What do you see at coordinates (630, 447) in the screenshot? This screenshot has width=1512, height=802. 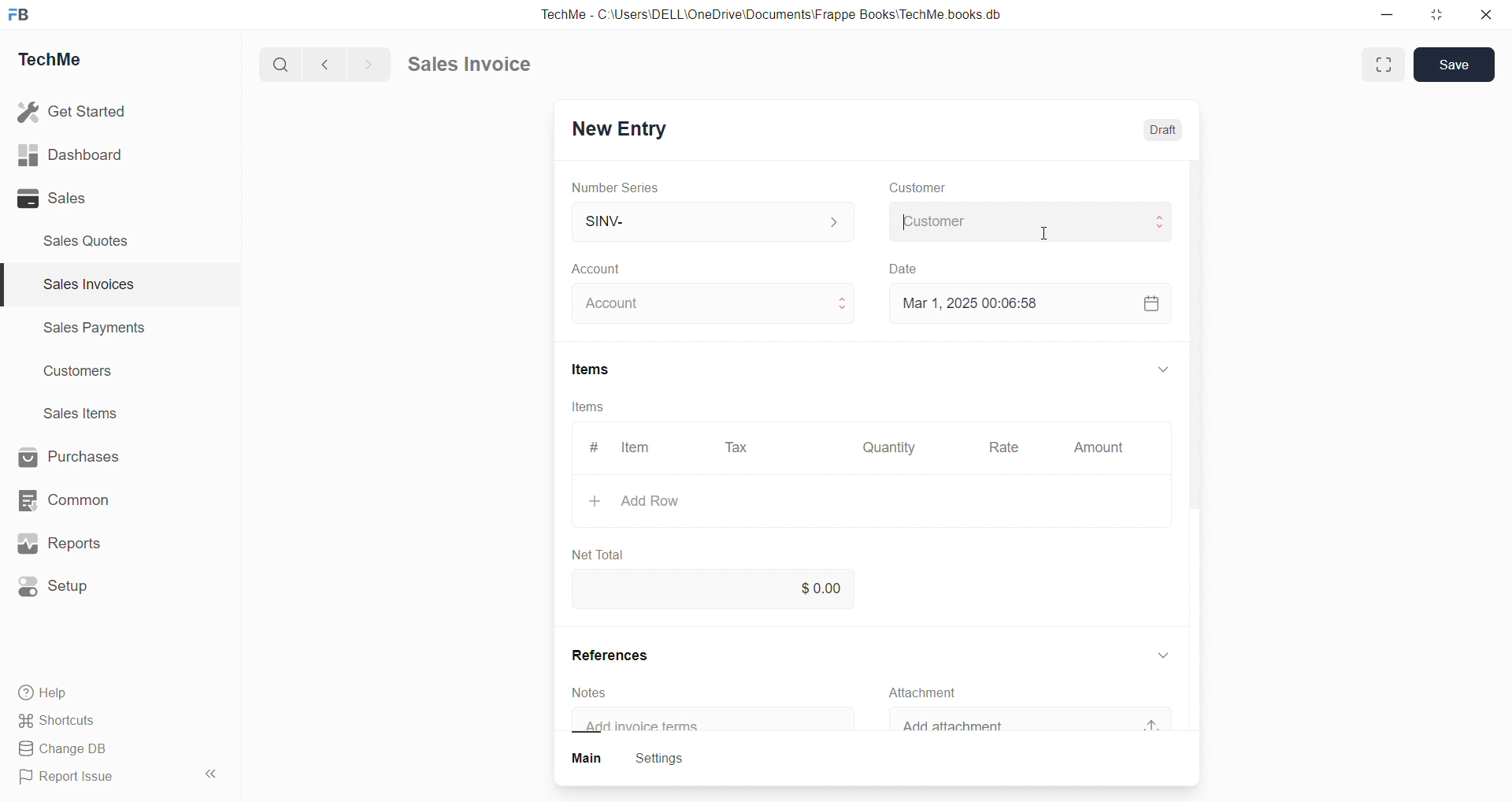 I see `# Item` at bounding box center [630, 447].